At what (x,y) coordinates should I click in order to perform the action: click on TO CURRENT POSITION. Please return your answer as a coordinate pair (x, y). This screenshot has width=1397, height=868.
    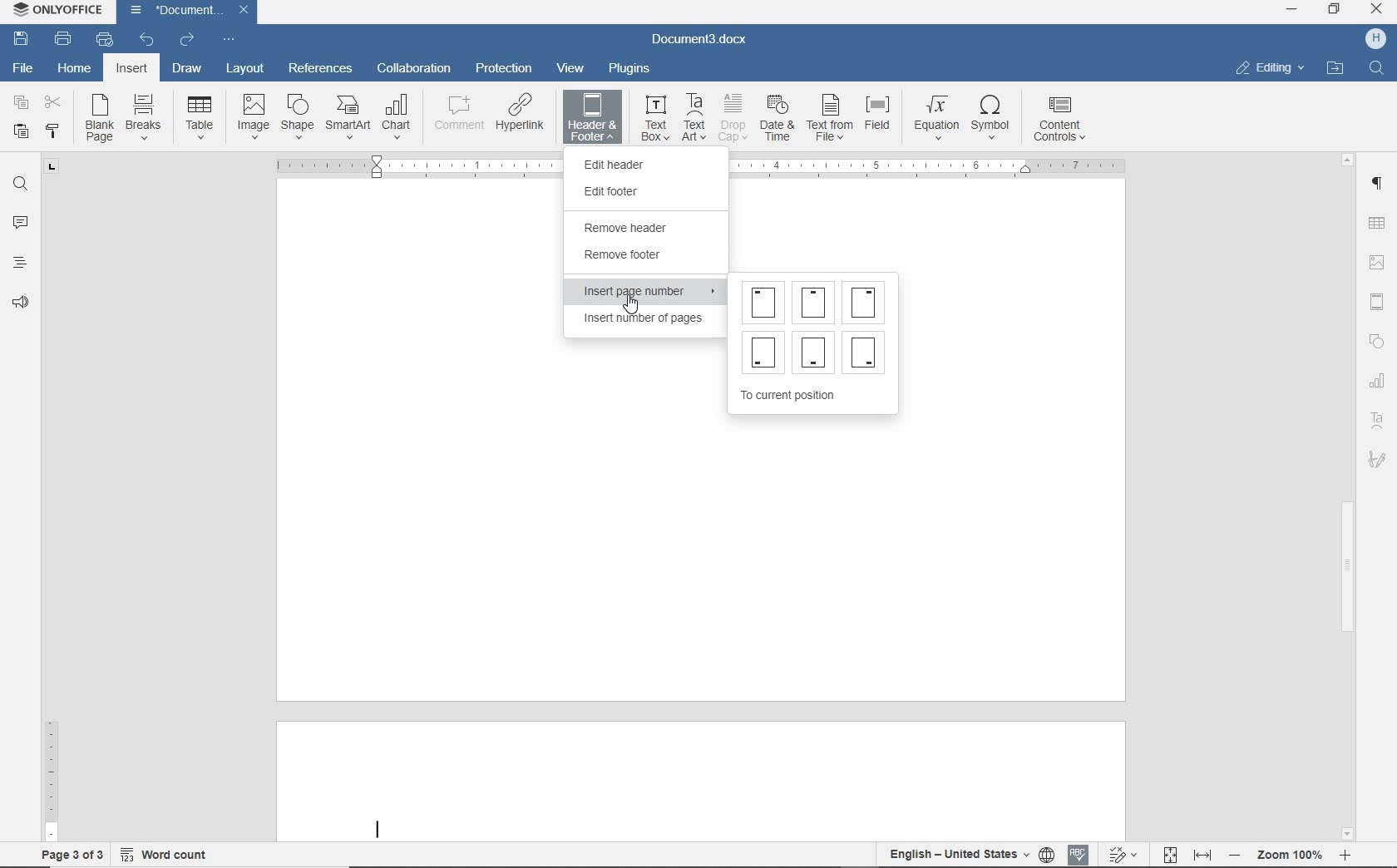
    Looking at the image, I should click on (792, 397).